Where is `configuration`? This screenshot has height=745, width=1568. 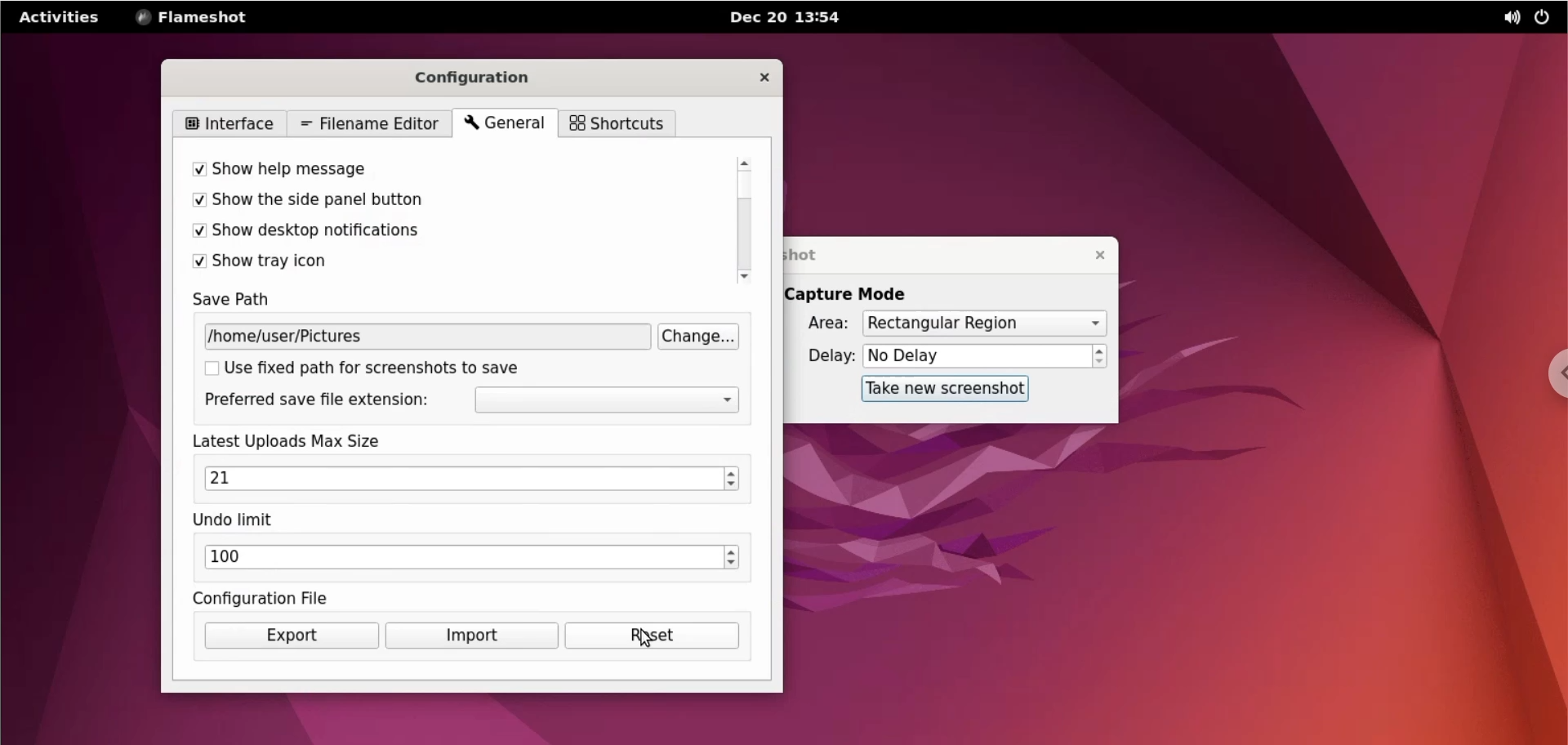
configuration is located at coordinates (489, 74).